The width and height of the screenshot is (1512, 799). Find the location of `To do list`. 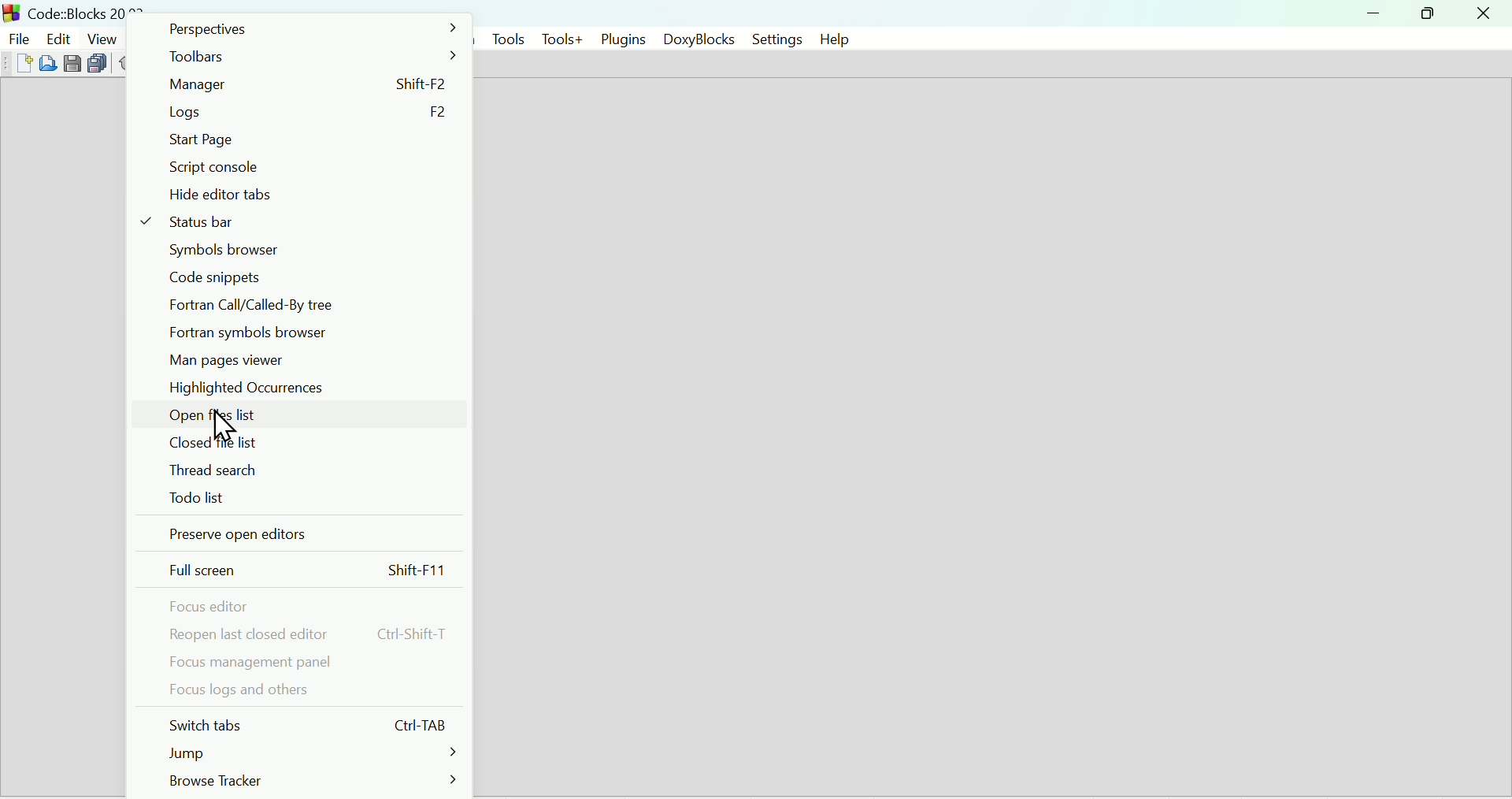

To do list is located at coordinates (303, 498).